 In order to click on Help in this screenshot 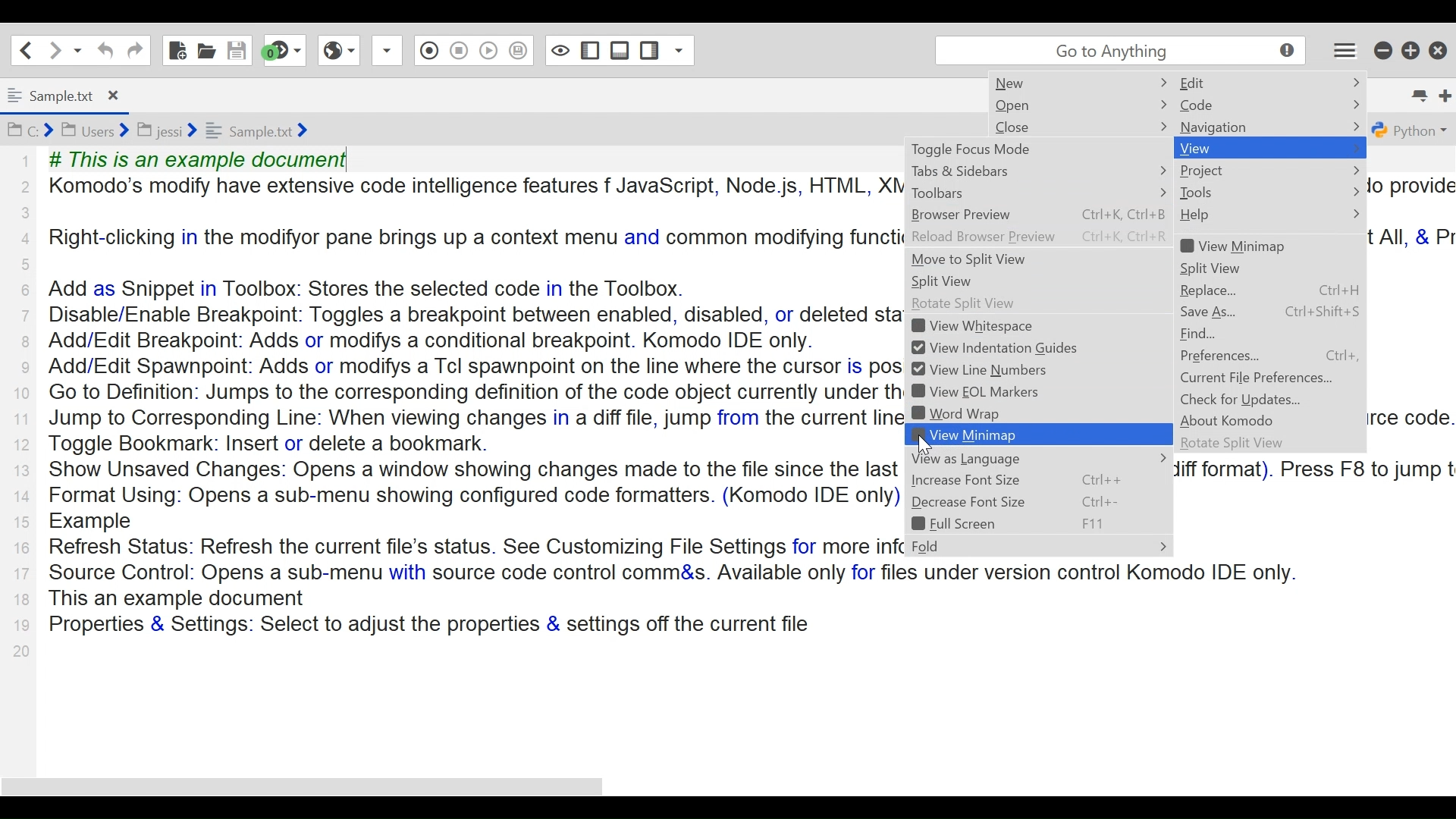, I will do `click(1212, 215)`.